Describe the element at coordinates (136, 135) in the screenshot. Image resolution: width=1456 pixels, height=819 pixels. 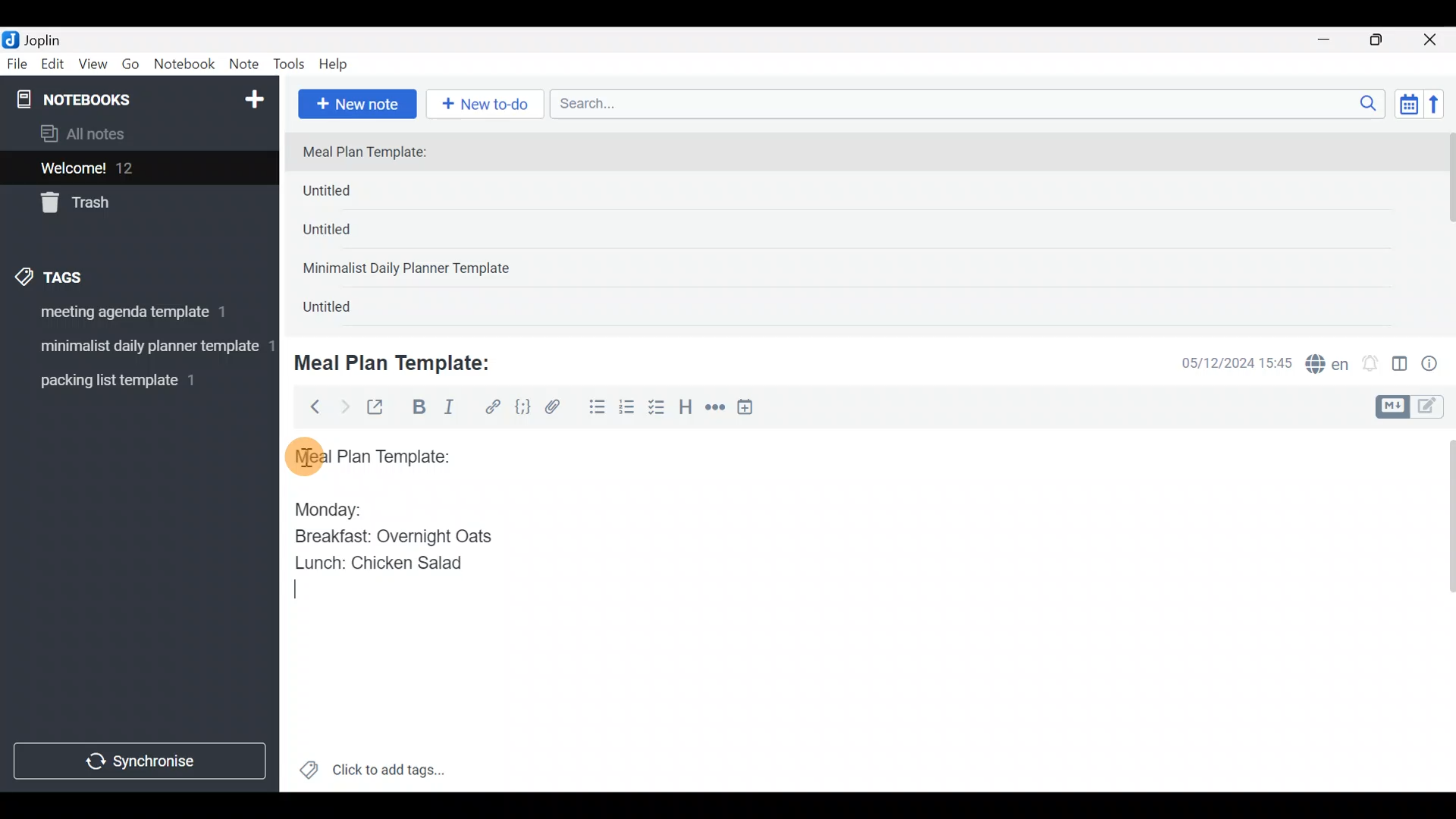
I see `All notes` at that location.